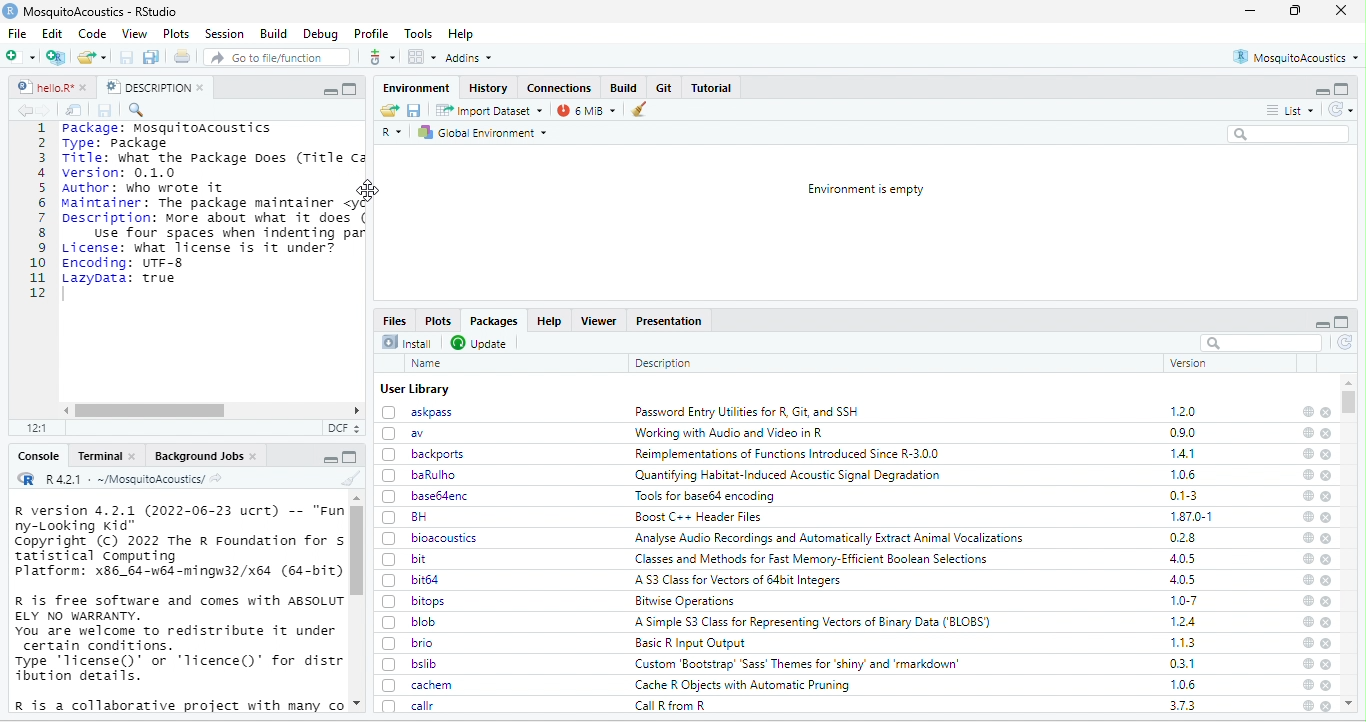 This screenshot has width=1366, height=722. What do you see at coordinates (494, 322) in the screenshot?
I see `Packages` at bounding box center [494, 322].